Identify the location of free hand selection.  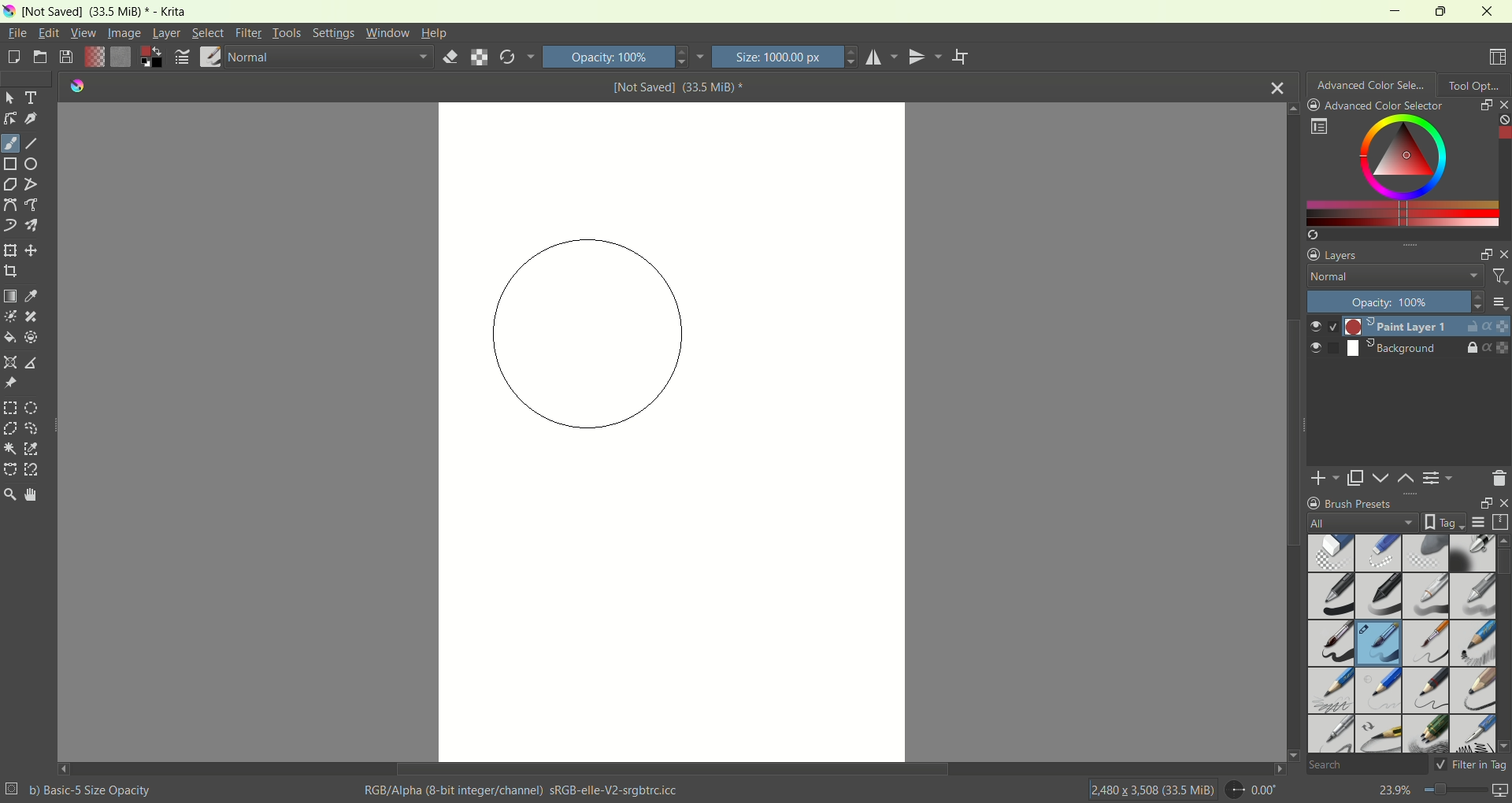
(36, 428).